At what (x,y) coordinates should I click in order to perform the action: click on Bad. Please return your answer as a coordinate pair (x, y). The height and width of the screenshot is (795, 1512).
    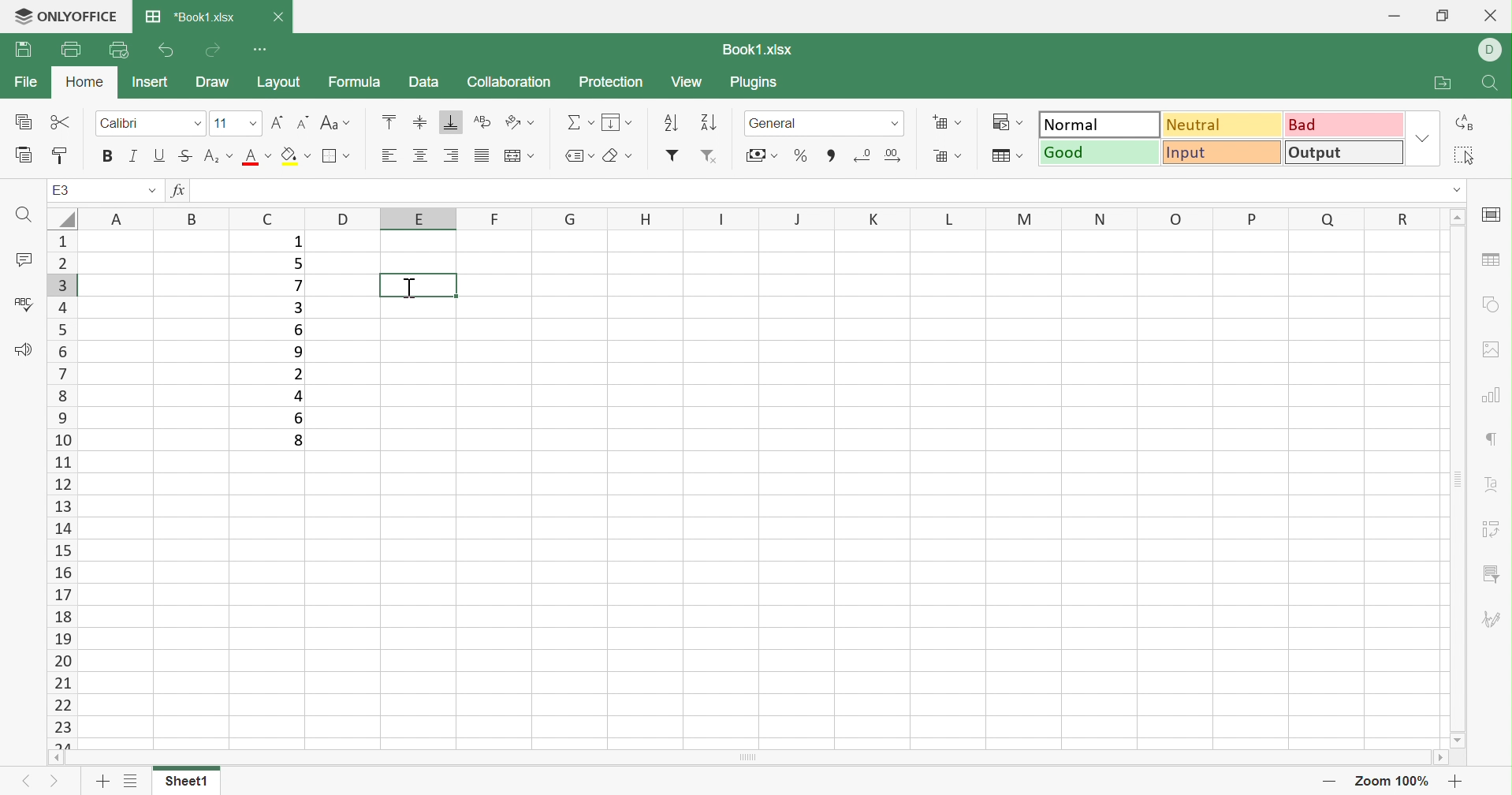
    Looking at the image, I should click on (1343, 125).